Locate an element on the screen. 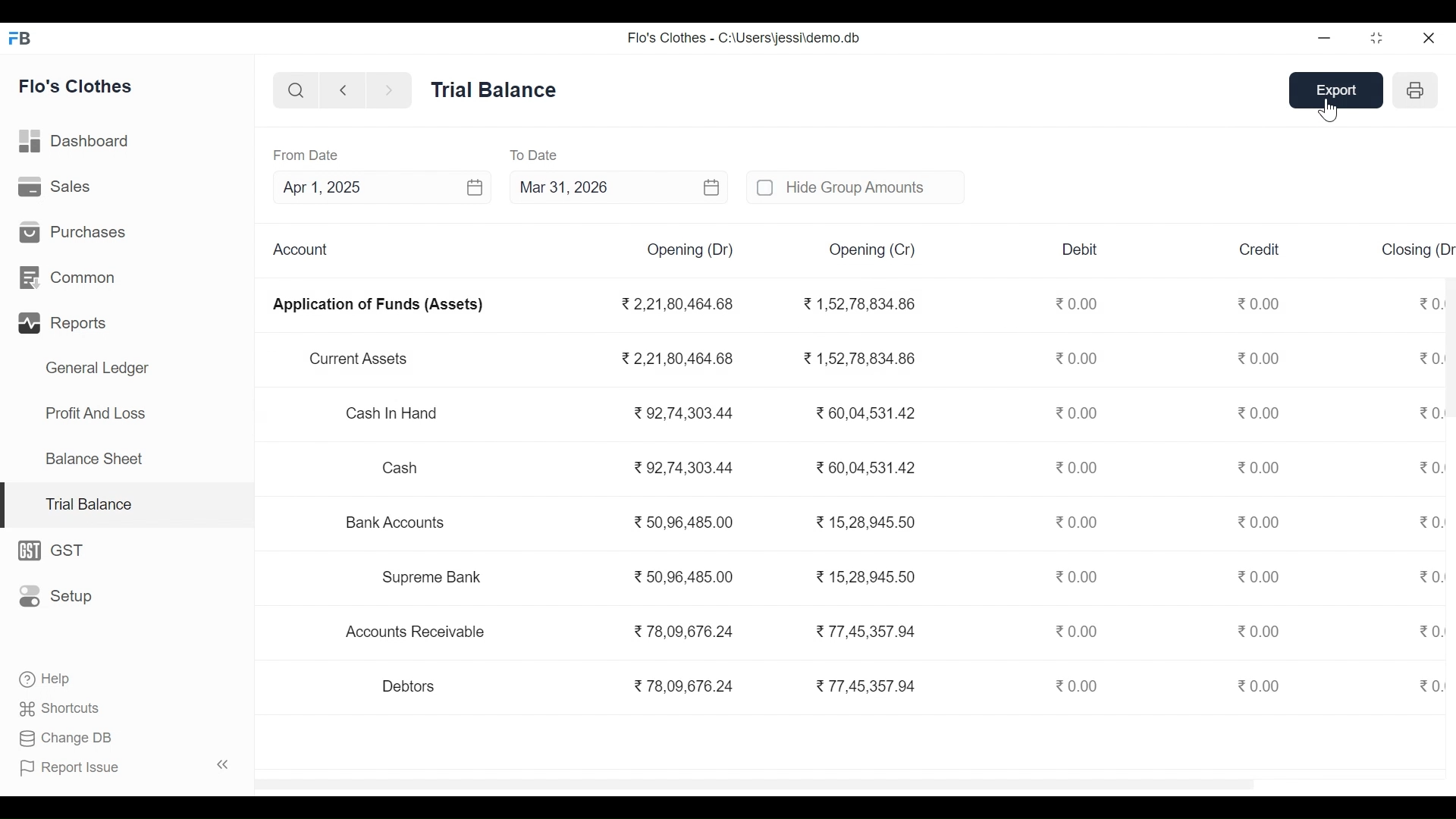 Image resolution: width=1456 pixels, height=819 pixels. 0.00 is located at coordinates (1430, 467).